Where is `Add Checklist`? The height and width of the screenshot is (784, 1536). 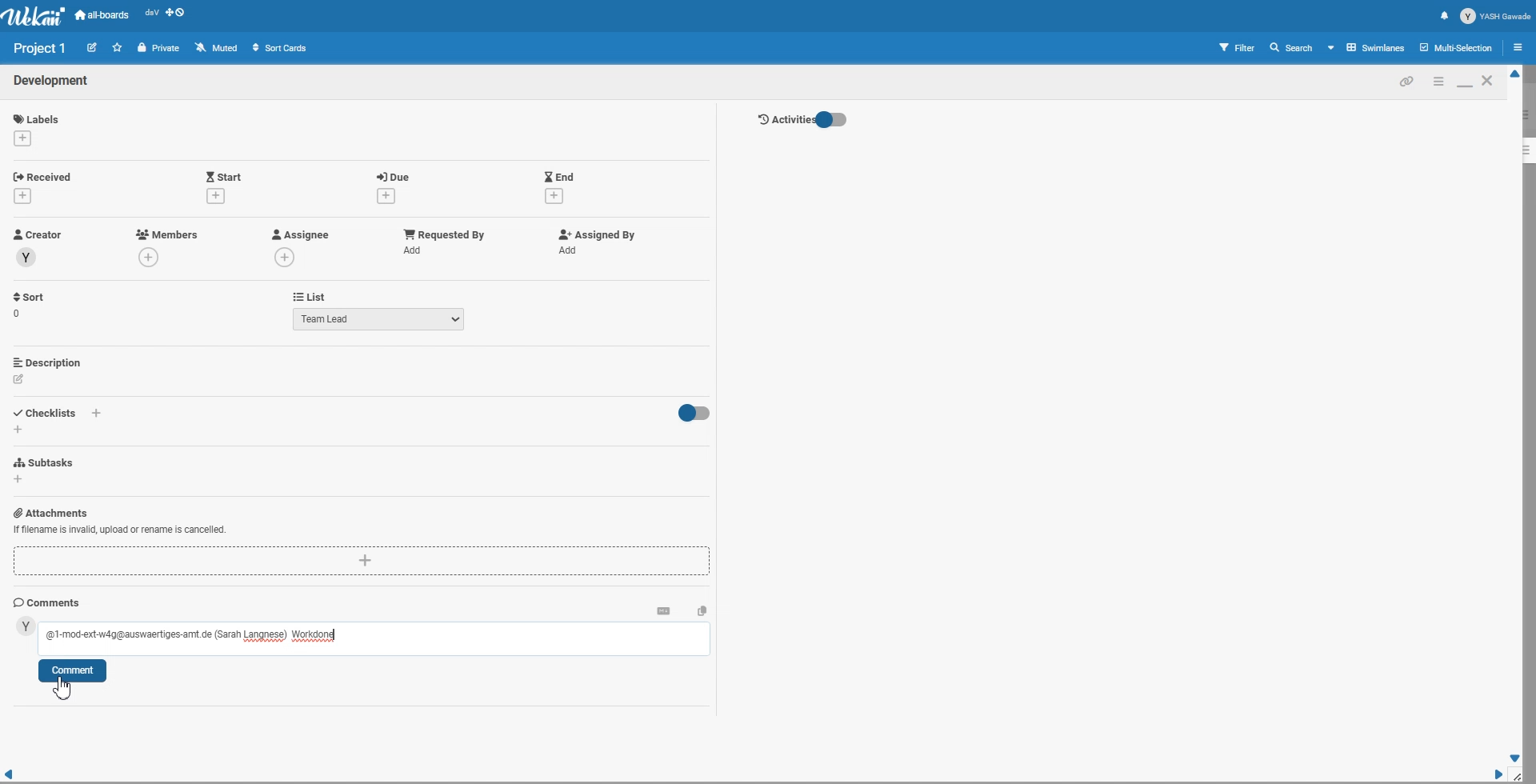
Add Checklist is located at coordinates (48, 411).